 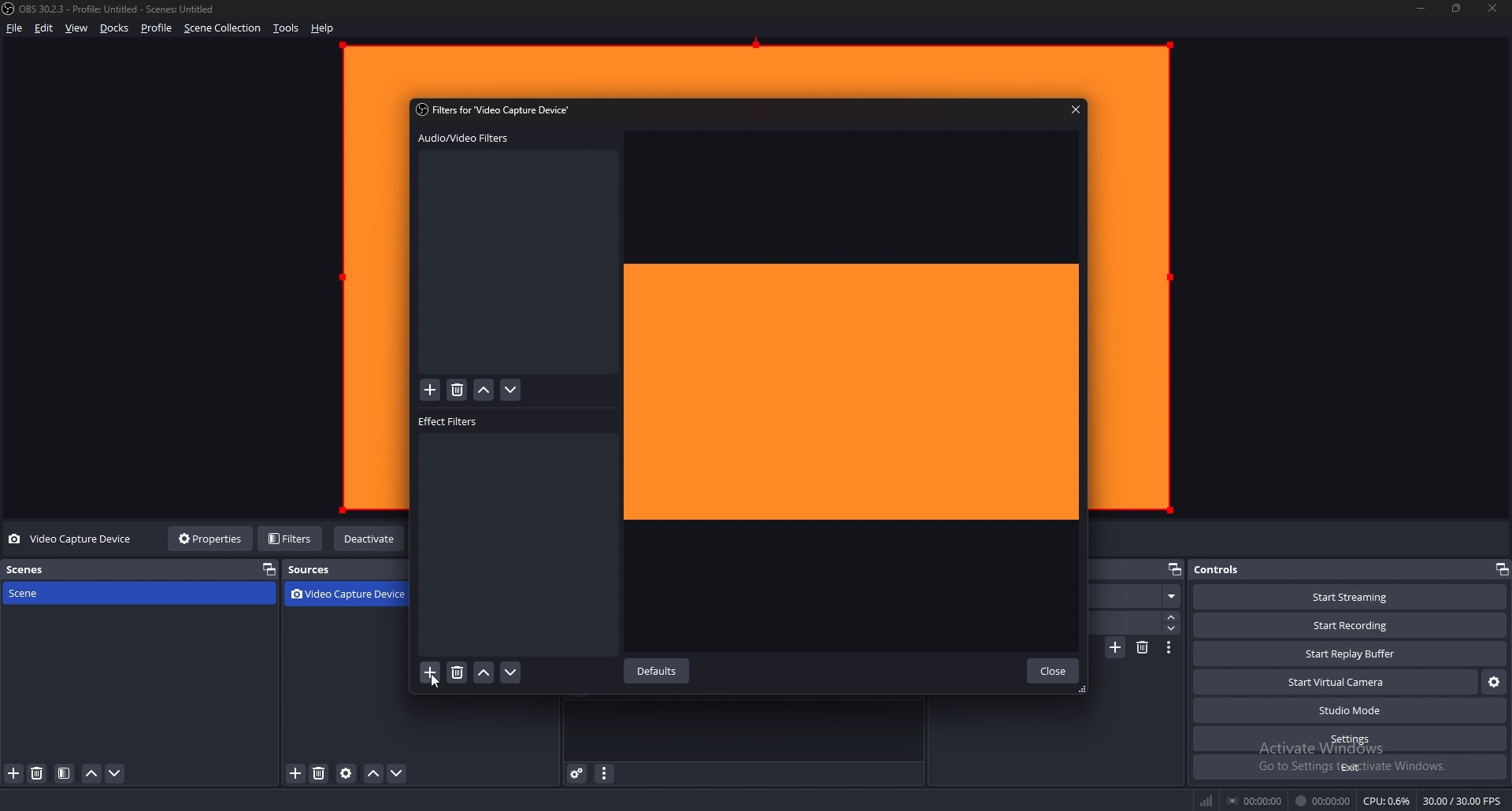 What do you see at coordinates (431, 391) in the screenshot?
I see `add` at bounding box center [431, 391].